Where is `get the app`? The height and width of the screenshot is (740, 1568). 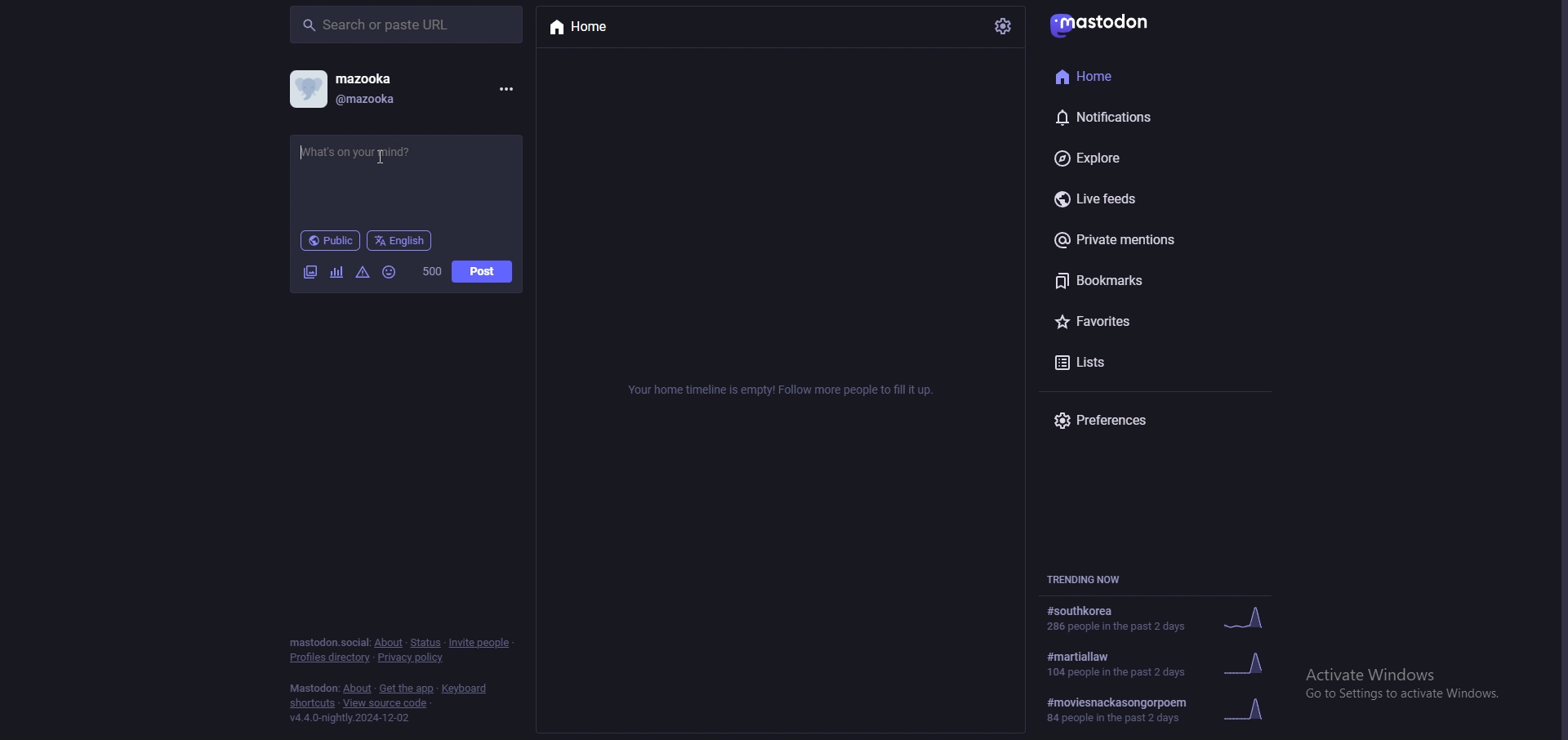
get the app is located at coordinates (408, 689).